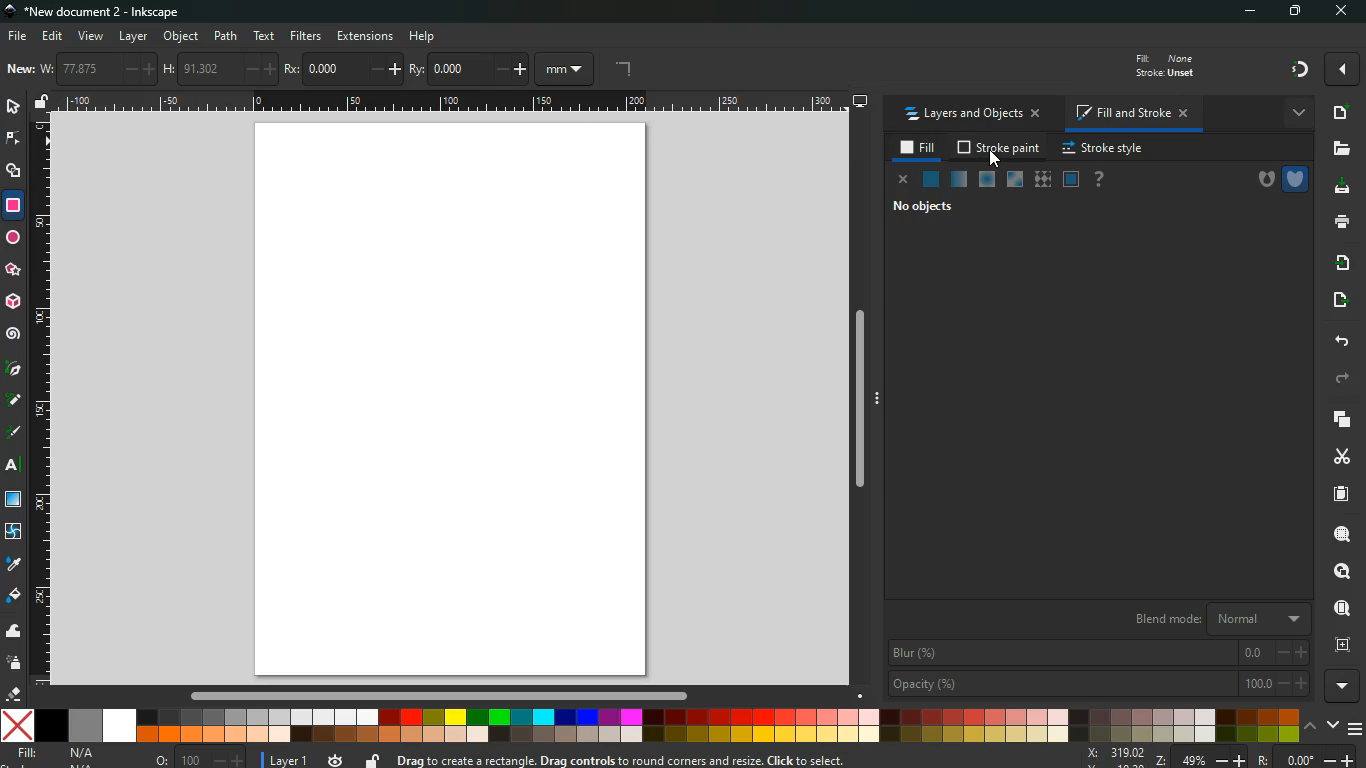 The image size is (1366, 768). I want to click on time, so click(333, 759).